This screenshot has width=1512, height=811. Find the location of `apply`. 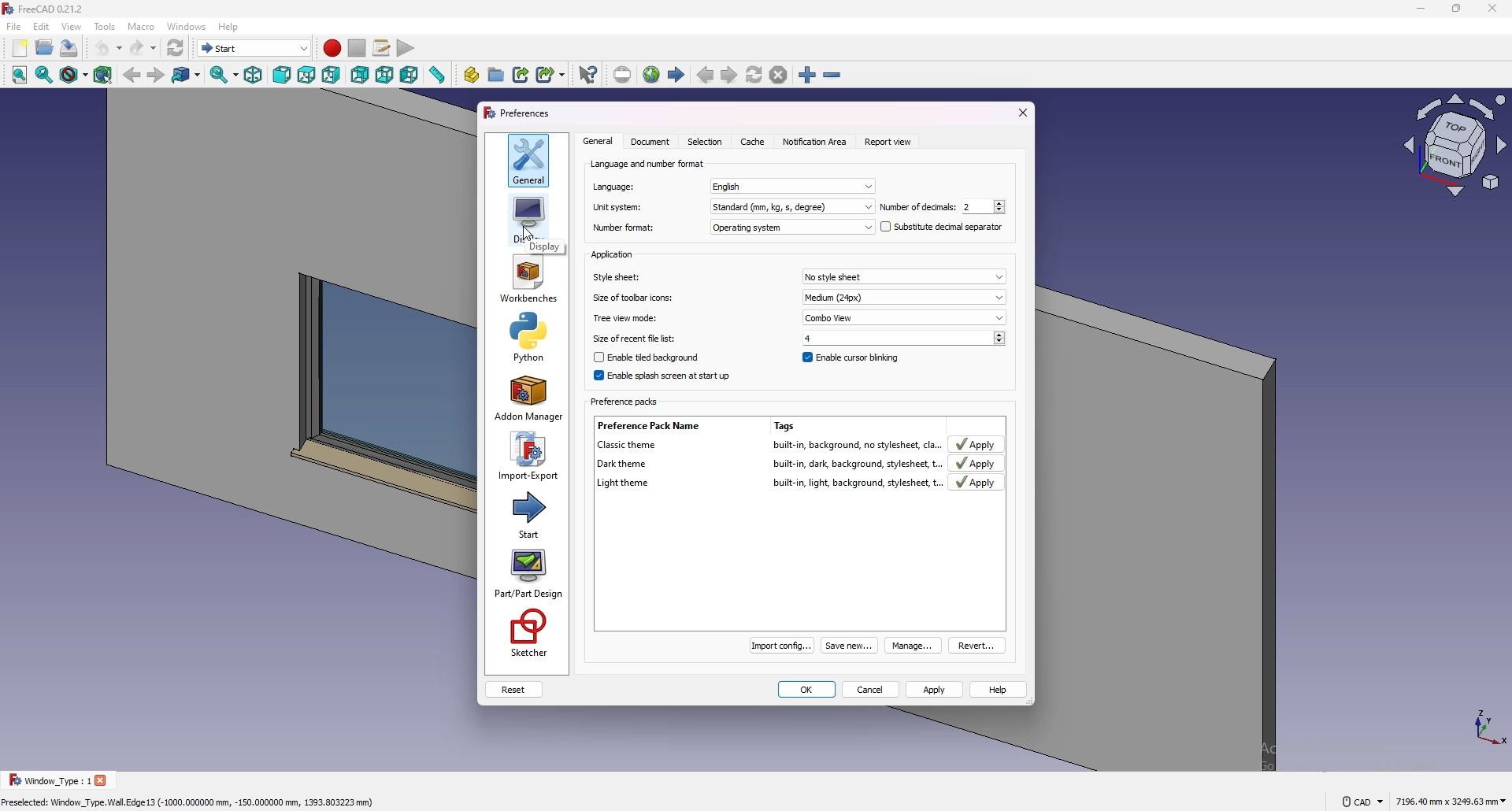

apply is located at coordinates (936, 689).